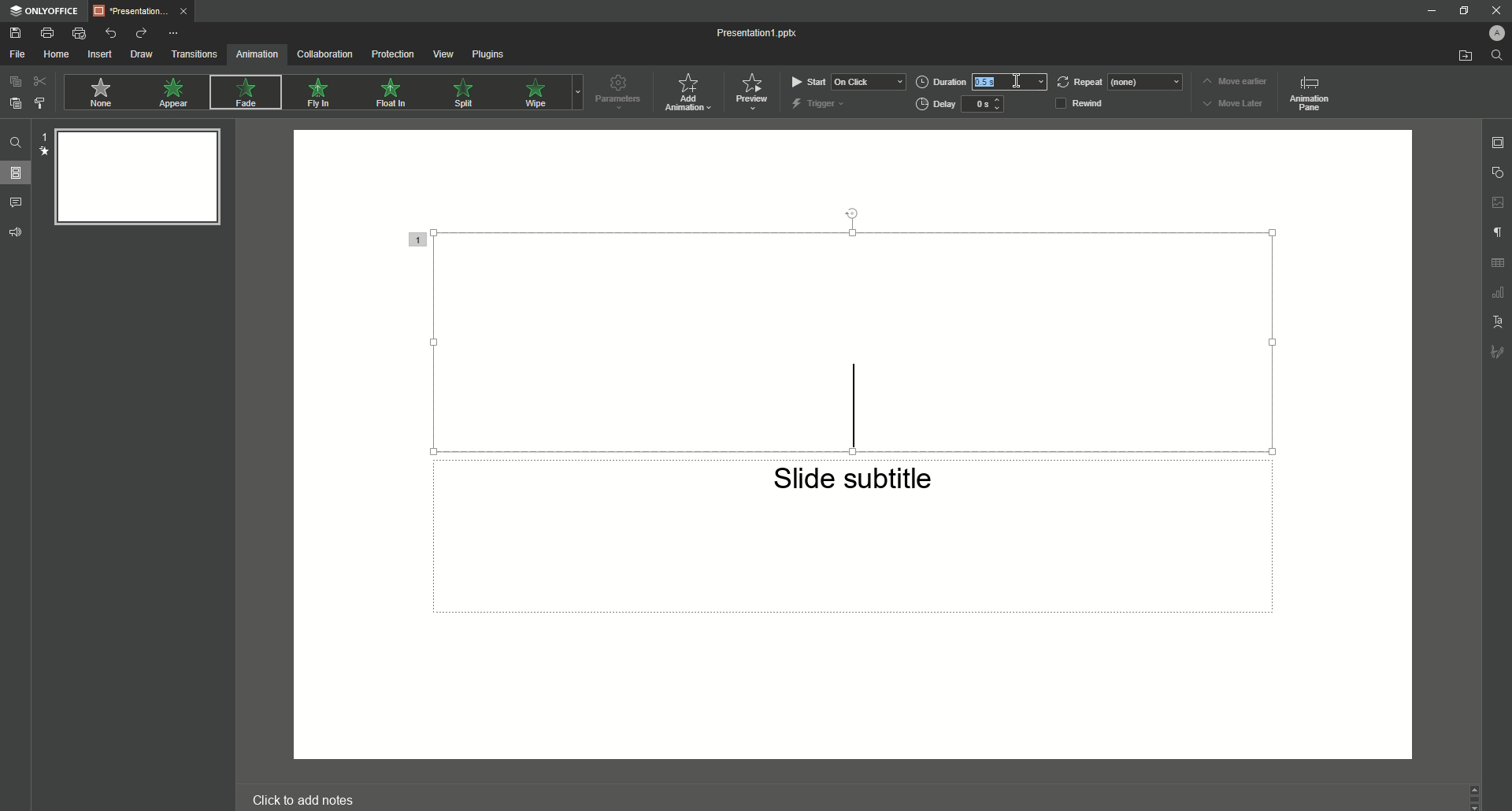 The image size is (1512, 811). What do you see at coordinates (1498, 263) in the screenshot?
I see `Unnamed Icons` at bounding box center [1498, 263].